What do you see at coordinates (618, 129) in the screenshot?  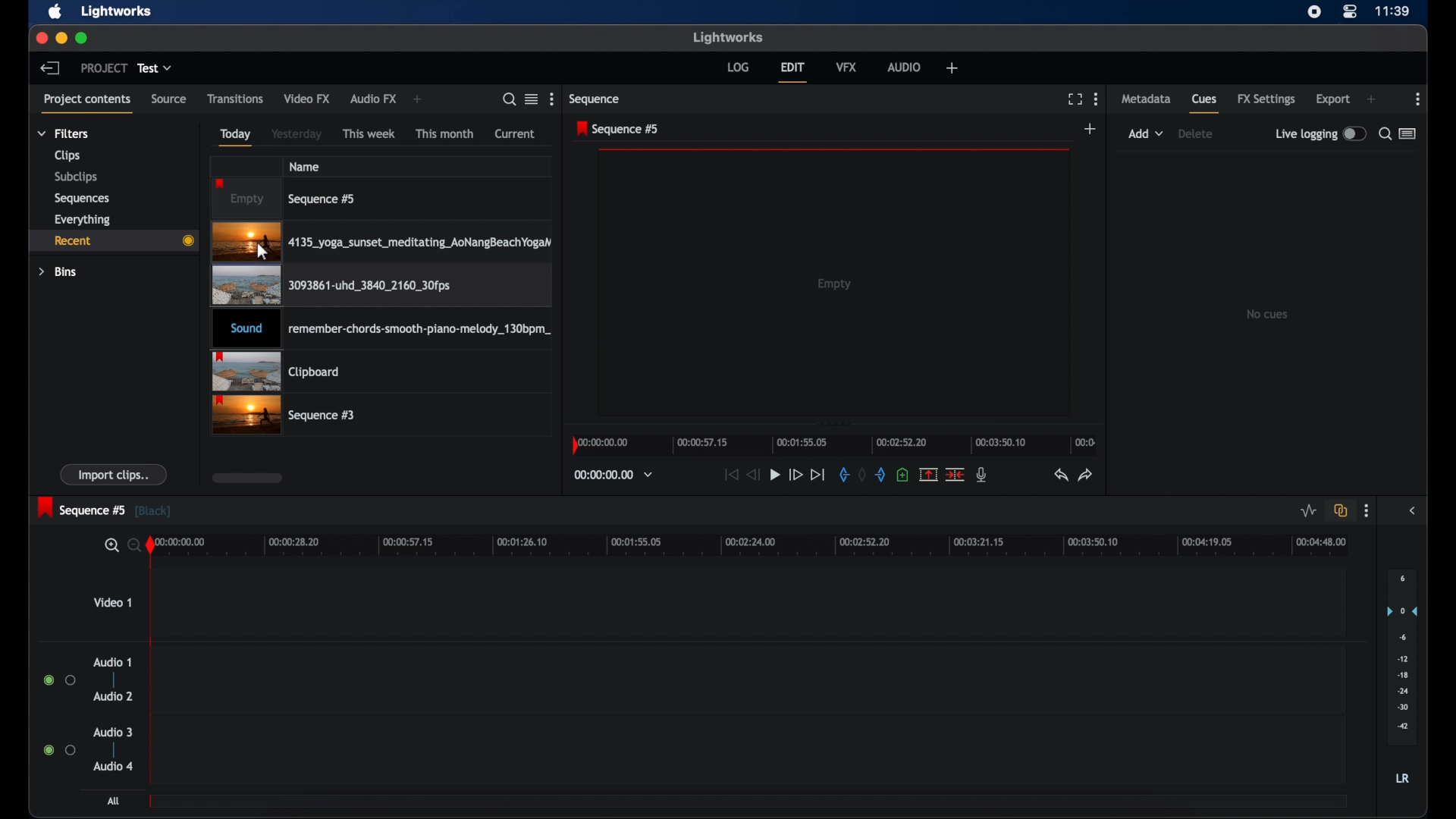 I see `sequence 5` at bounding box center [618, 129].